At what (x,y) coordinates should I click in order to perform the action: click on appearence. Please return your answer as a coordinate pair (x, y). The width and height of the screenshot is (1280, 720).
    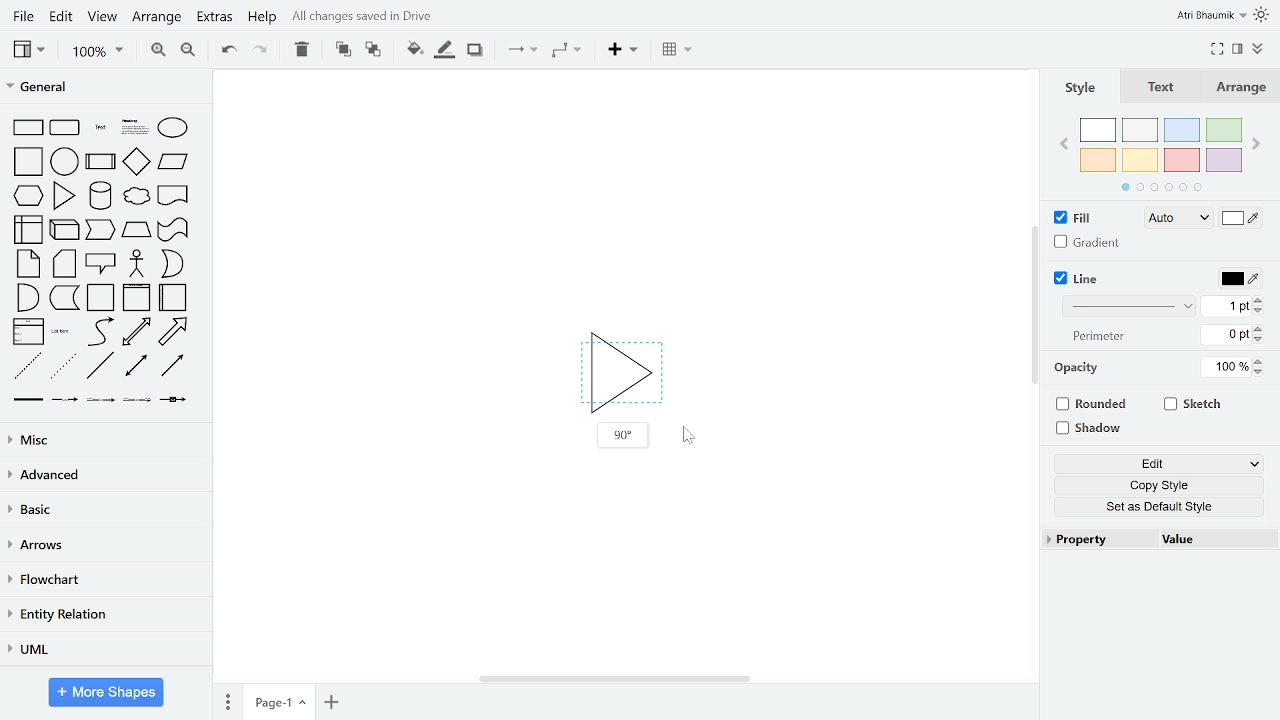
    Looking at the image, I should click on (1263, 15).